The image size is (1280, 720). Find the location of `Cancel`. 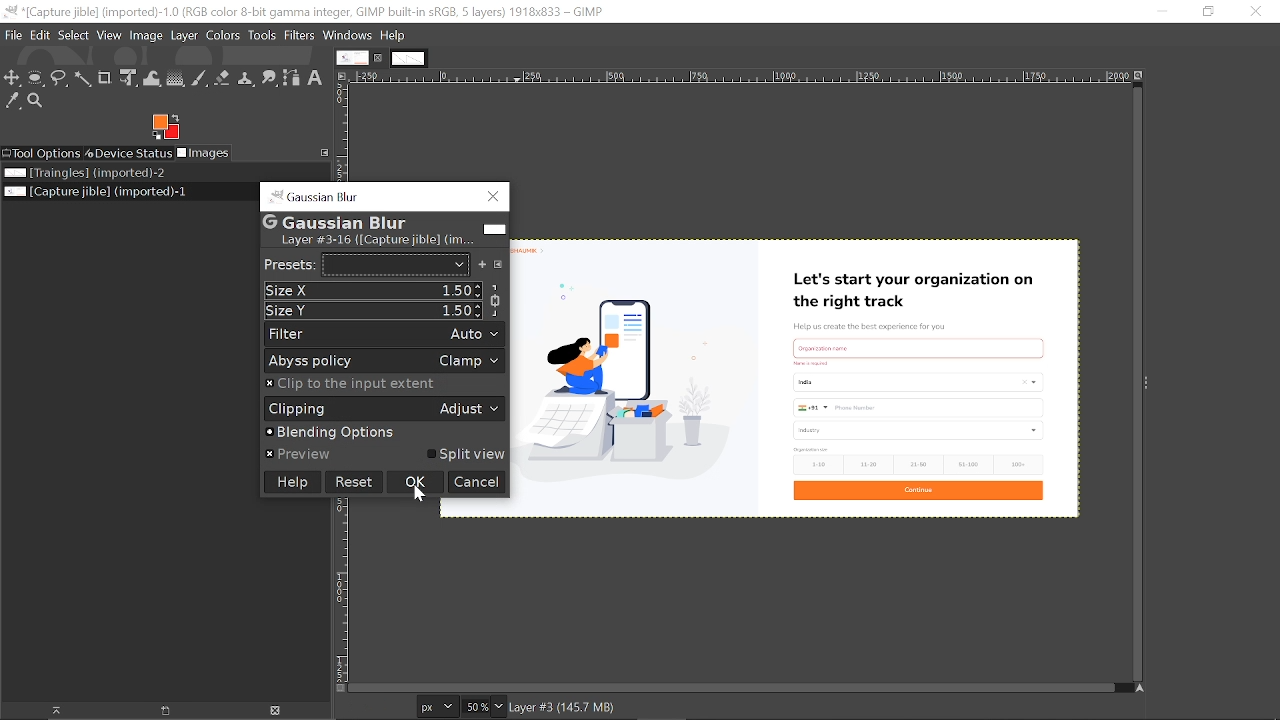

Cancel is located at coordinates (478, 483).